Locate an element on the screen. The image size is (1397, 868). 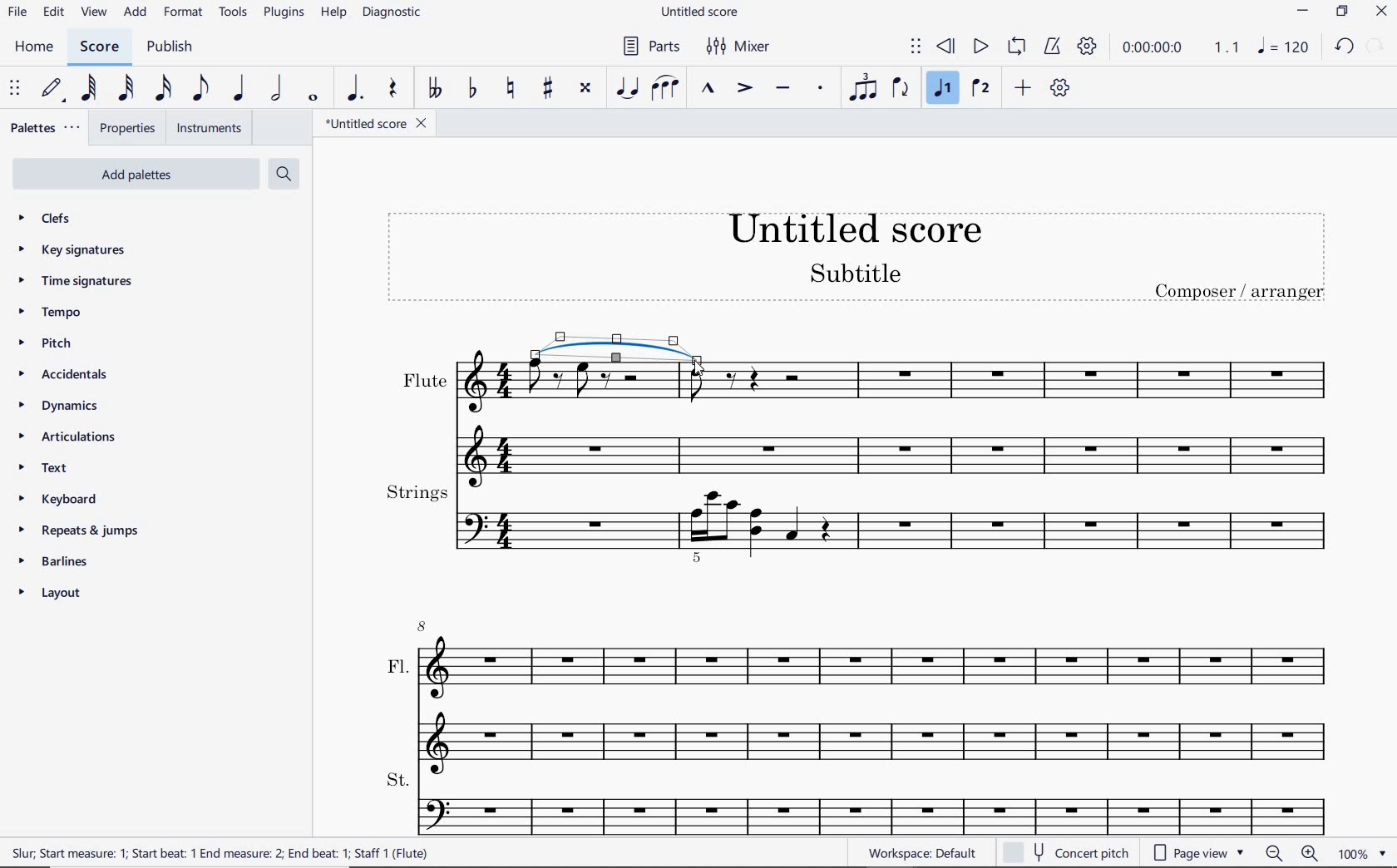
TOGGLE DOUBLE-SHARP is located at coordinates (586, 89).